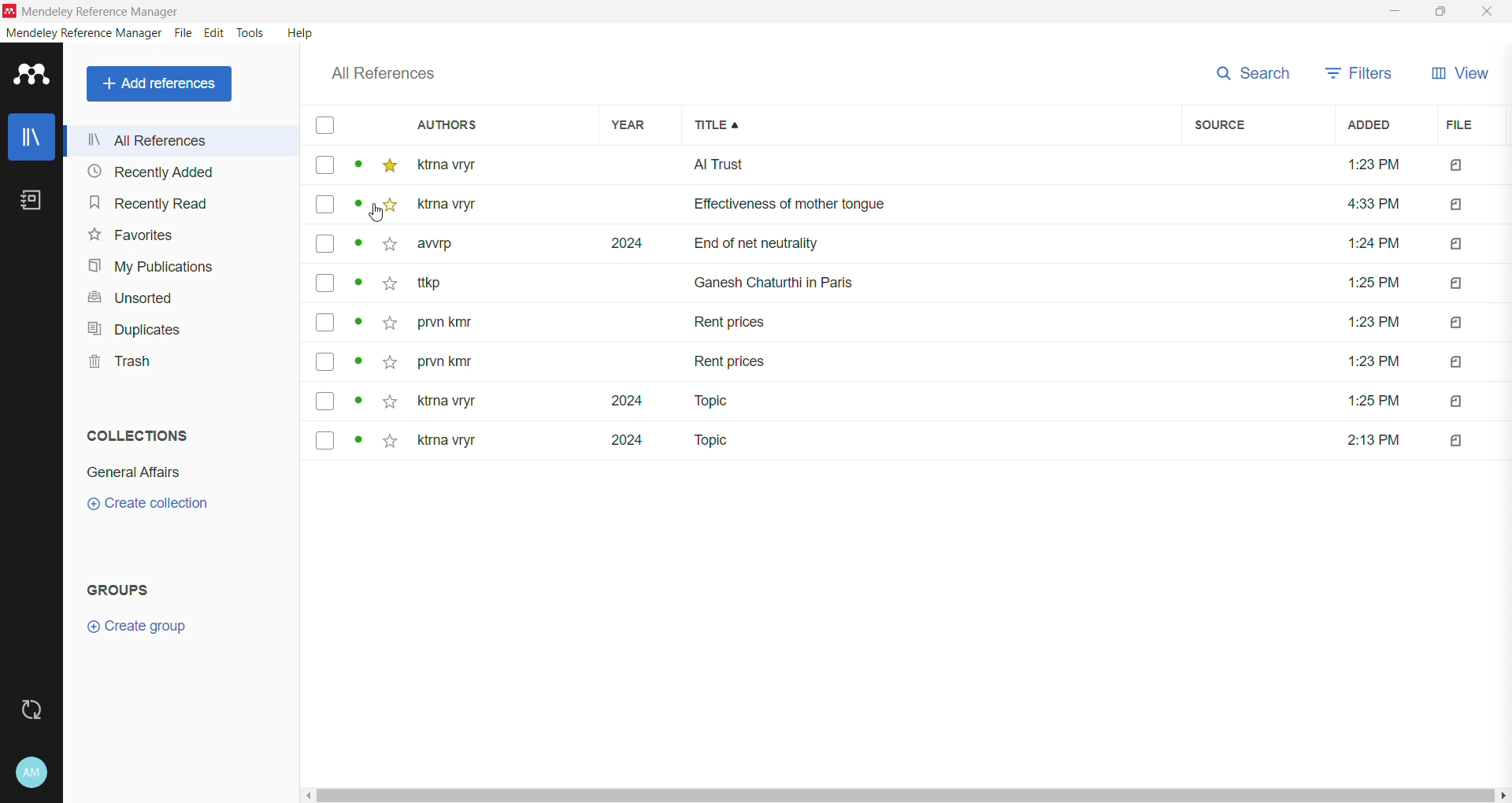 The image size is (1512, 803). What do you see at coordinates (486, 124) in the screenshot?
I see `Authors` at bounding box center [486, 124].